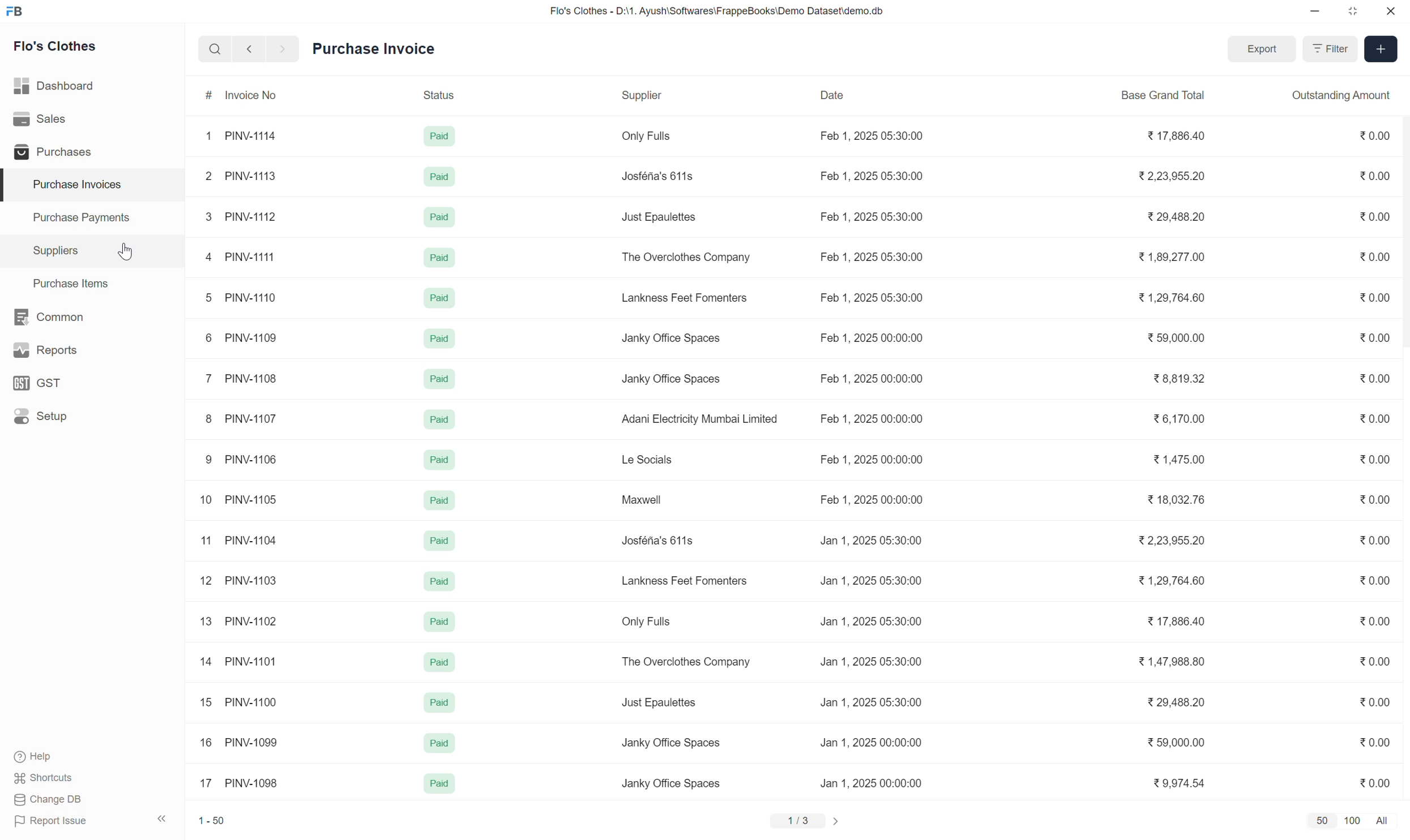  What do you see at coordinates (239, 702) in the screenshot?
I see `15 PINV-1100` at bounding box center [239, 702].